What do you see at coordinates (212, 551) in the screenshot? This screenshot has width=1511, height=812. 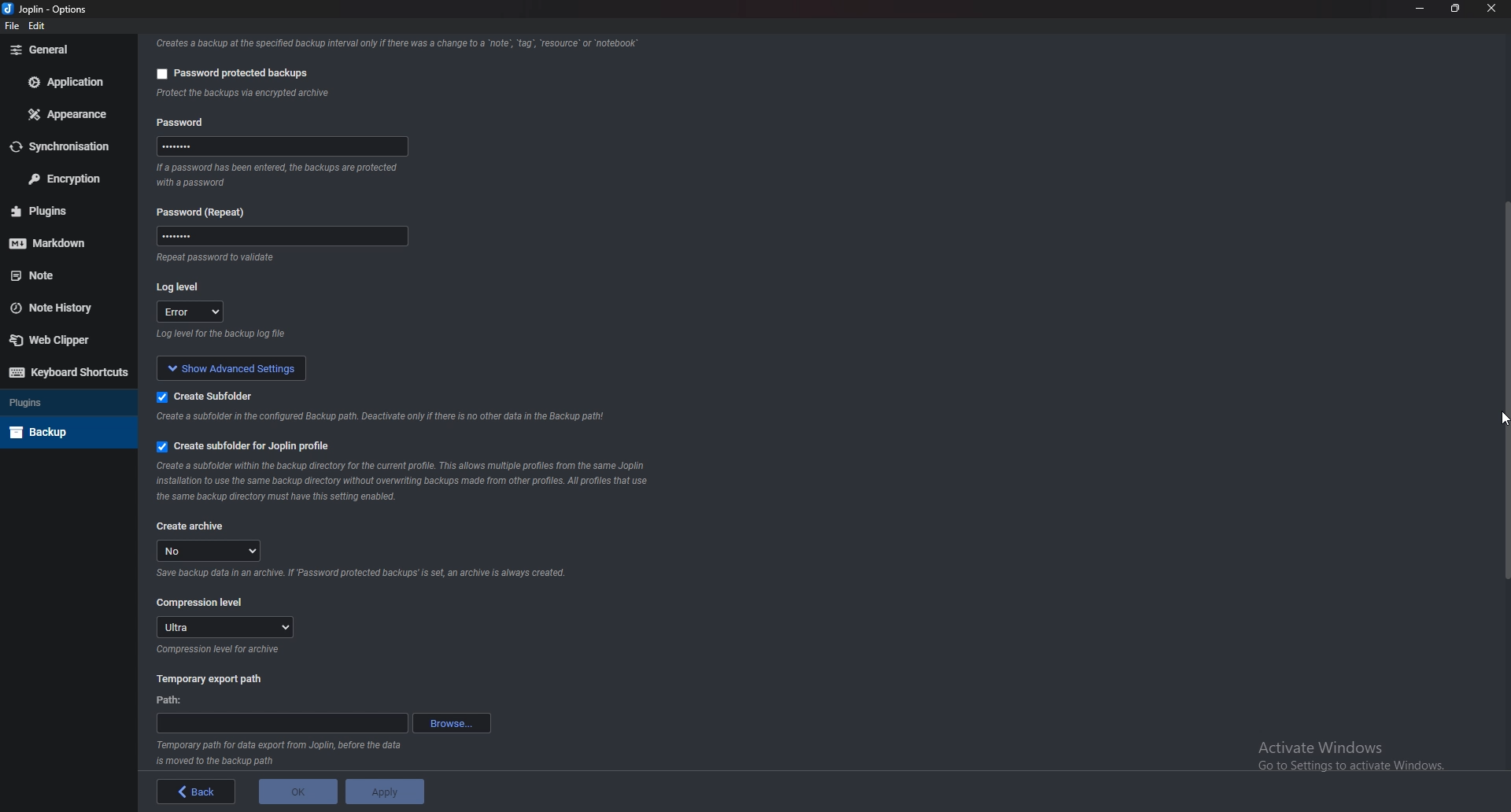 I see `no` at bounding box center [212, 551].